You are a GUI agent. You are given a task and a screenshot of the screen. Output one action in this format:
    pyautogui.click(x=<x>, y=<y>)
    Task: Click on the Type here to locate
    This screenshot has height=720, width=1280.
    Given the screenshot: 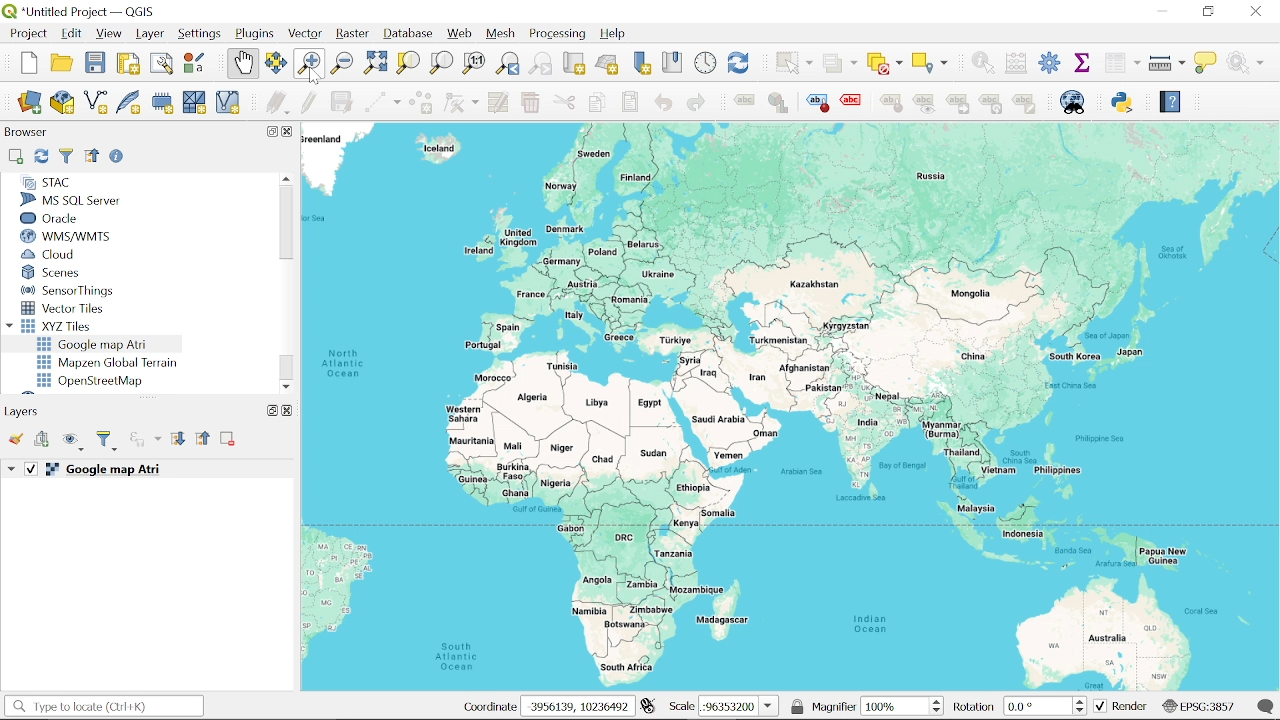 What is the action you would take?
    pyautogui.click(x=103, y=707)
    